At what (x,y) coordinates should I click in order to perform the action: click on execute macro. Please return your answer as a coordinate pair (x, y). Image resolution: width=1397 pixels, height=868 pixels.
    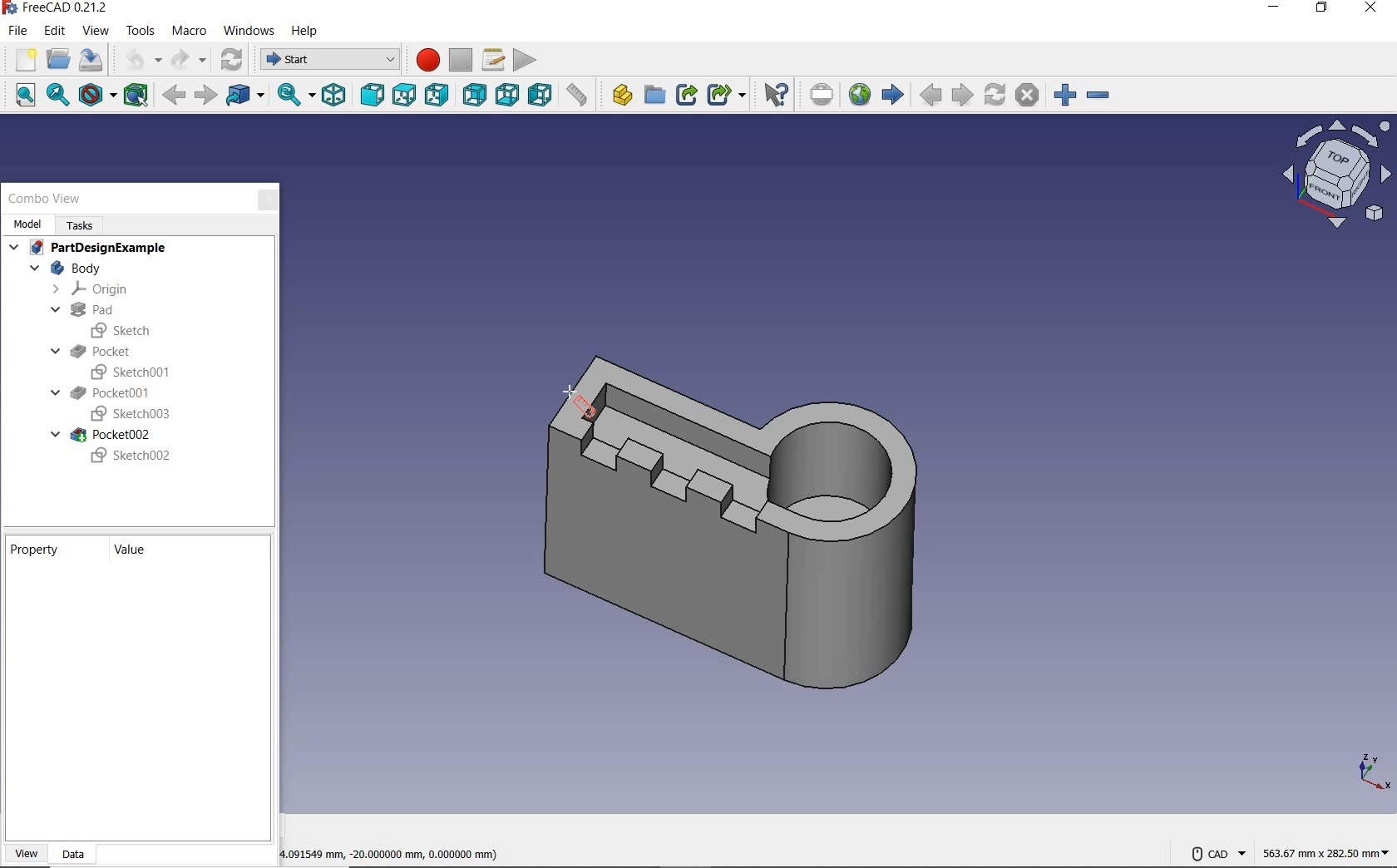
    Looking at the image, I should click on (526, 60).